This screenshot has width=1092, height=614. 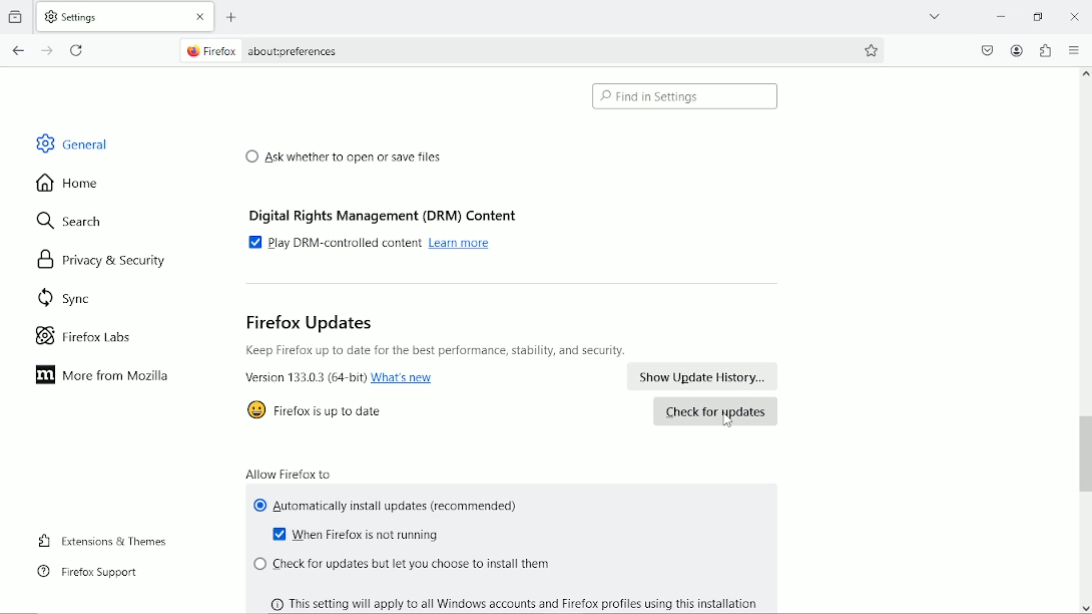 I want to click on open application menu, so click(x=1072, y=50).